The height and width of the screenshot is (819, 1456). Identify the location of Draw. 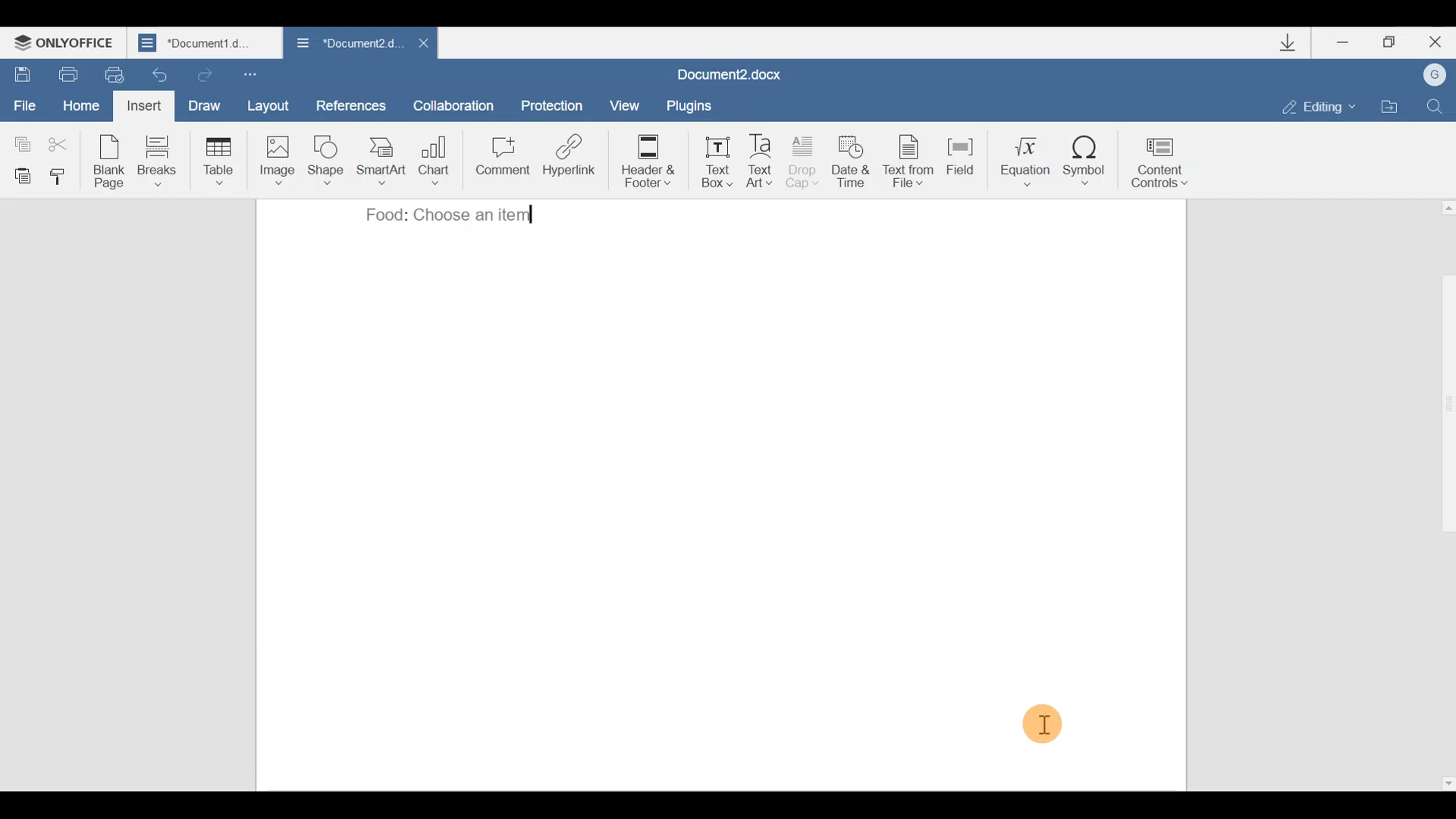
(209, 104).